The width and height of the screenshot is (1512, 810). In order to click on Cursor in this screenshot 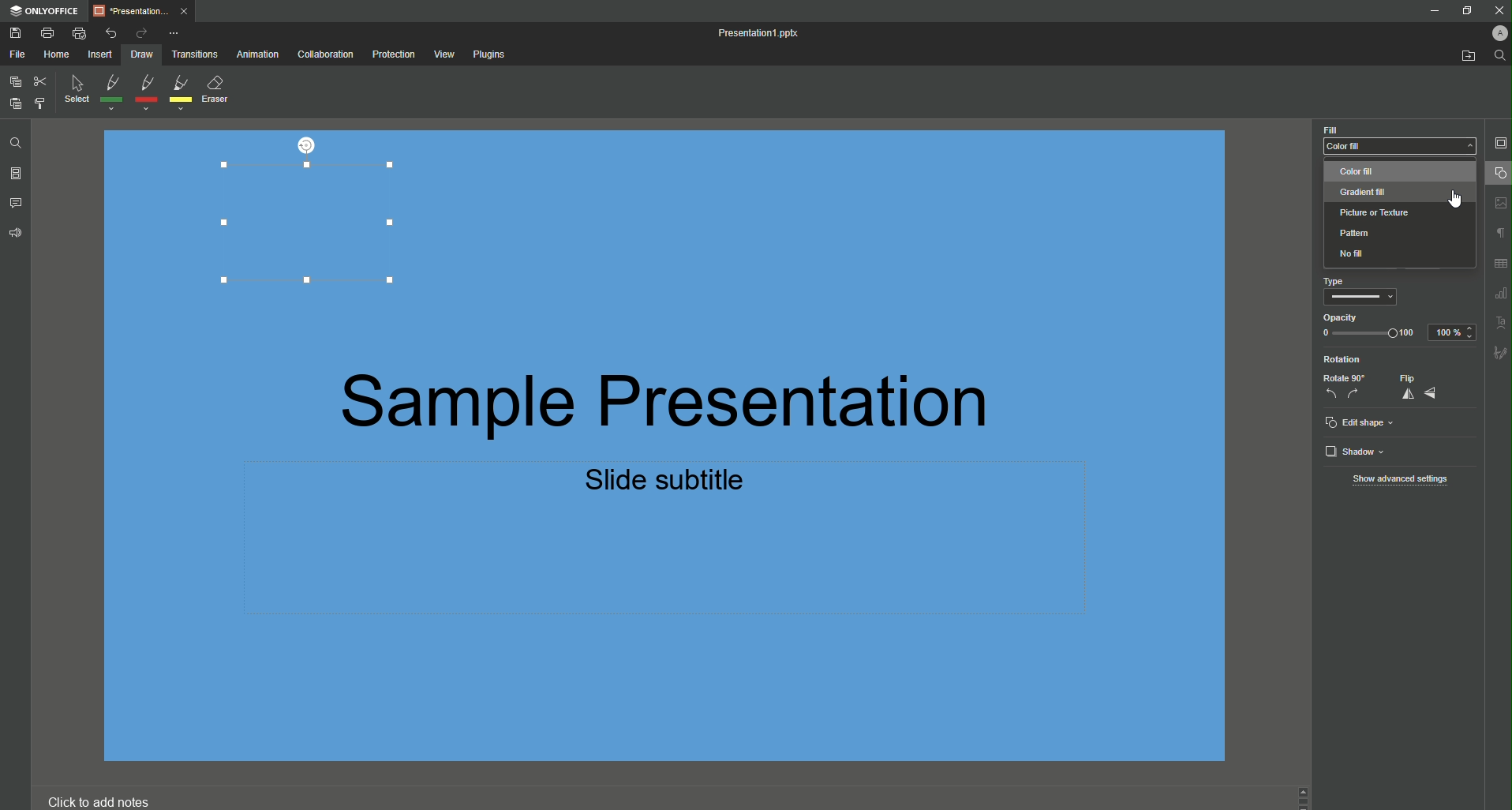, I will do `click(1496, 175)`.